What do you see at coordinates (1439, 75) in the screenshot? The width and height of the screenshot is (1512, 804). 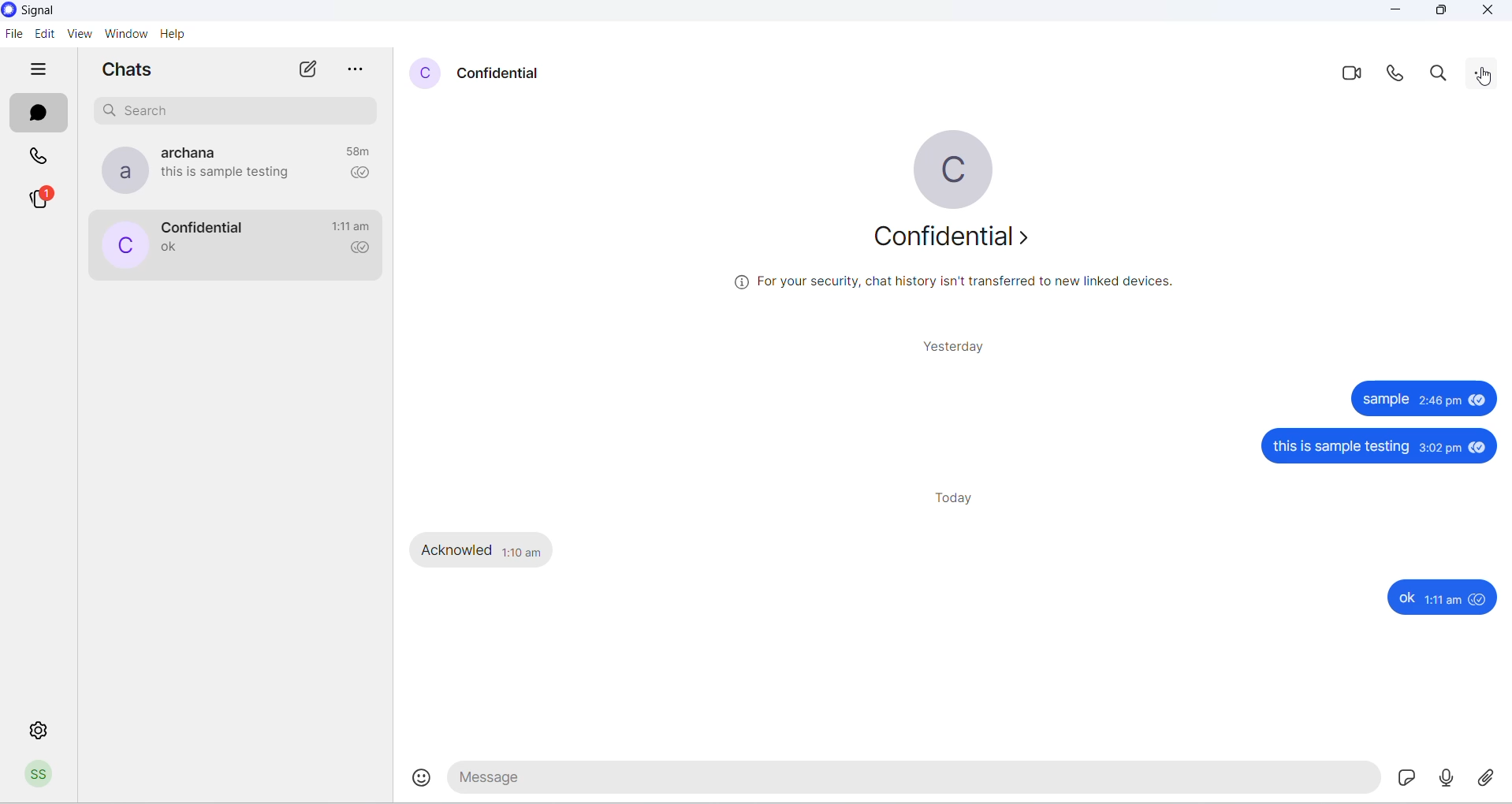 I see `search in chat` at bounding box center [1439, 75].